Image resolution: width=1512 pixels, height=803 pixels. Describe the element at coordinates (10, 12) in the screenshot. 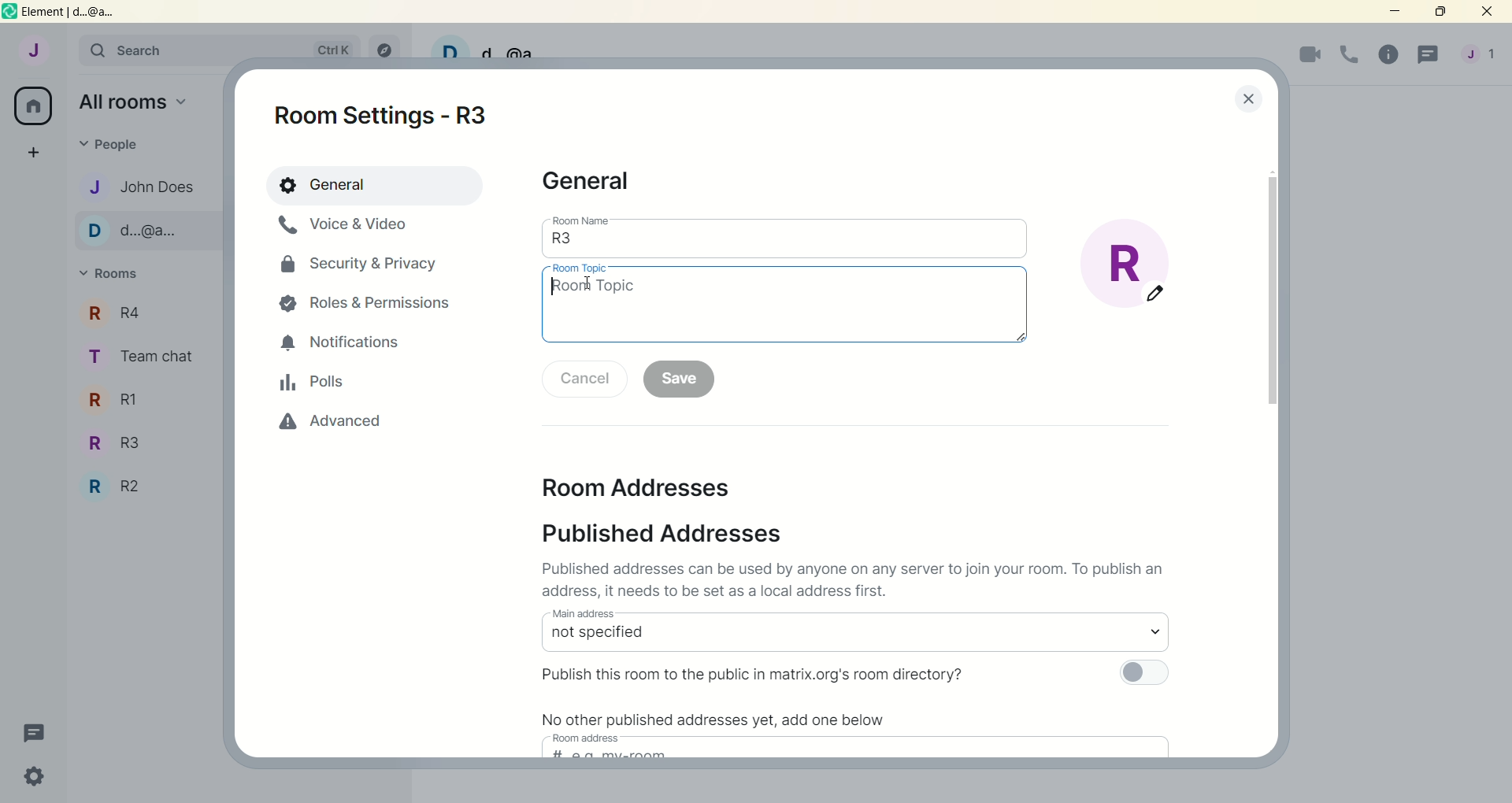

I see `logo` at that location.